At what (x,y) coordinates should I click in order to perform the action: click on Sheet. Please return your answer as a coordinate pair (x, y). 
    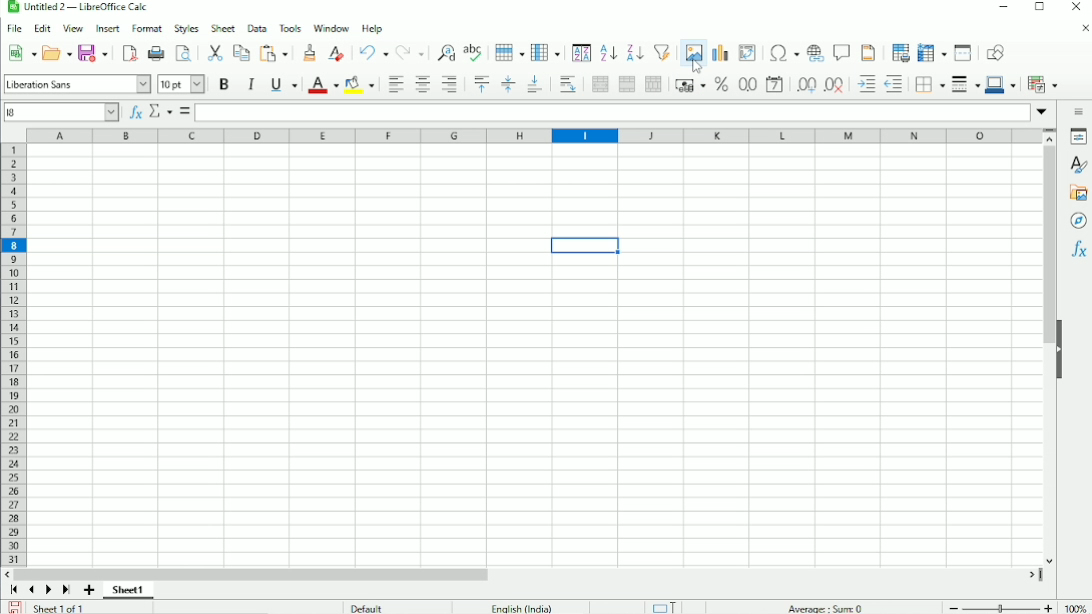
    Looking at the image, I should click on (222, 28).